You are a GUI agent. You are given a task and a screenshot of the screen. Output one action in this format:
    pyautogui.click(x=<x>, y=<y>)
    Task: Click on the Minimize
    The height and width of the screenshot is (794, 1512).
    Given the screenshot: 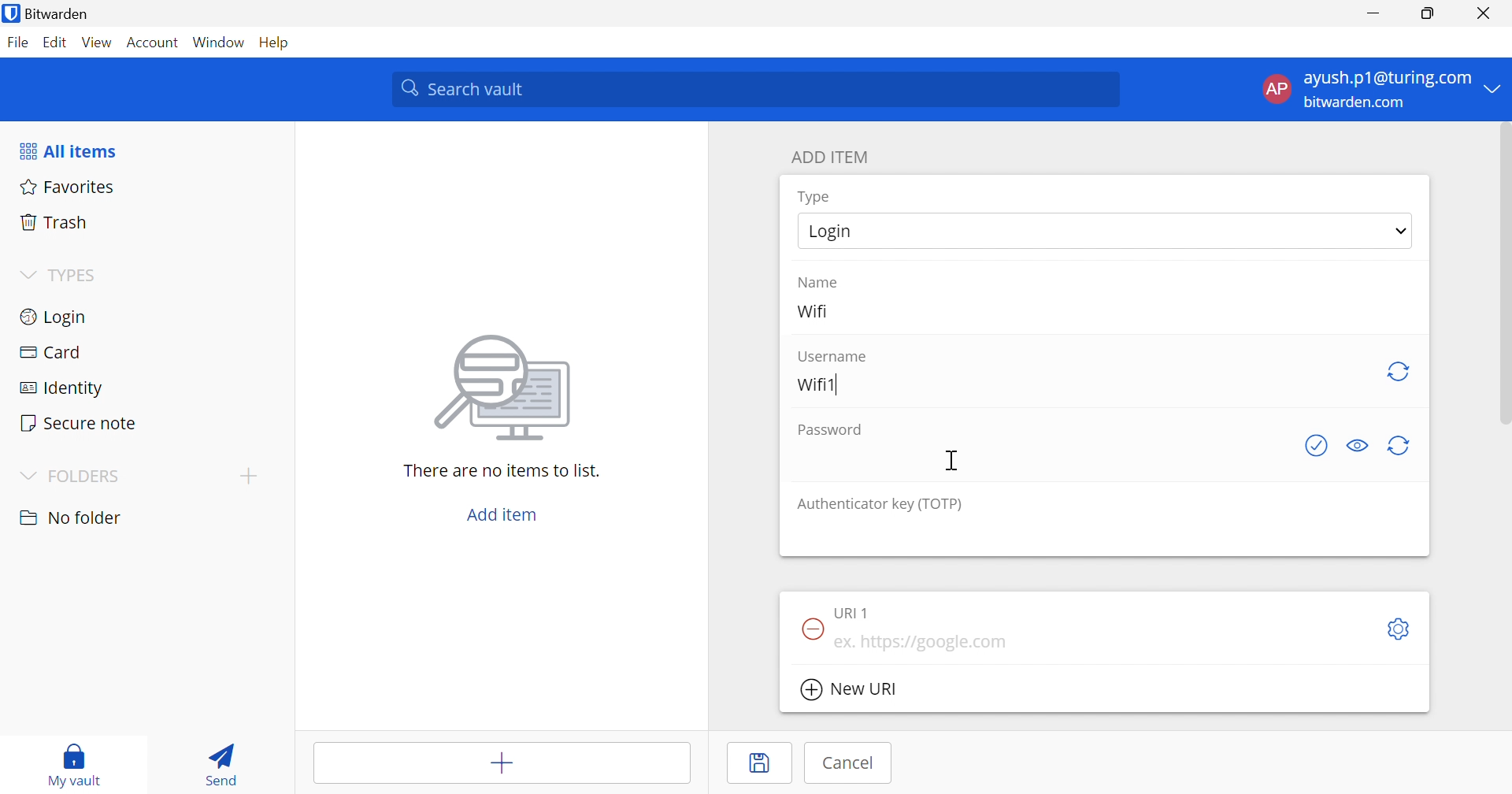 What is the action you would take?
    pyautogui.click(x=1373, y=14)
    